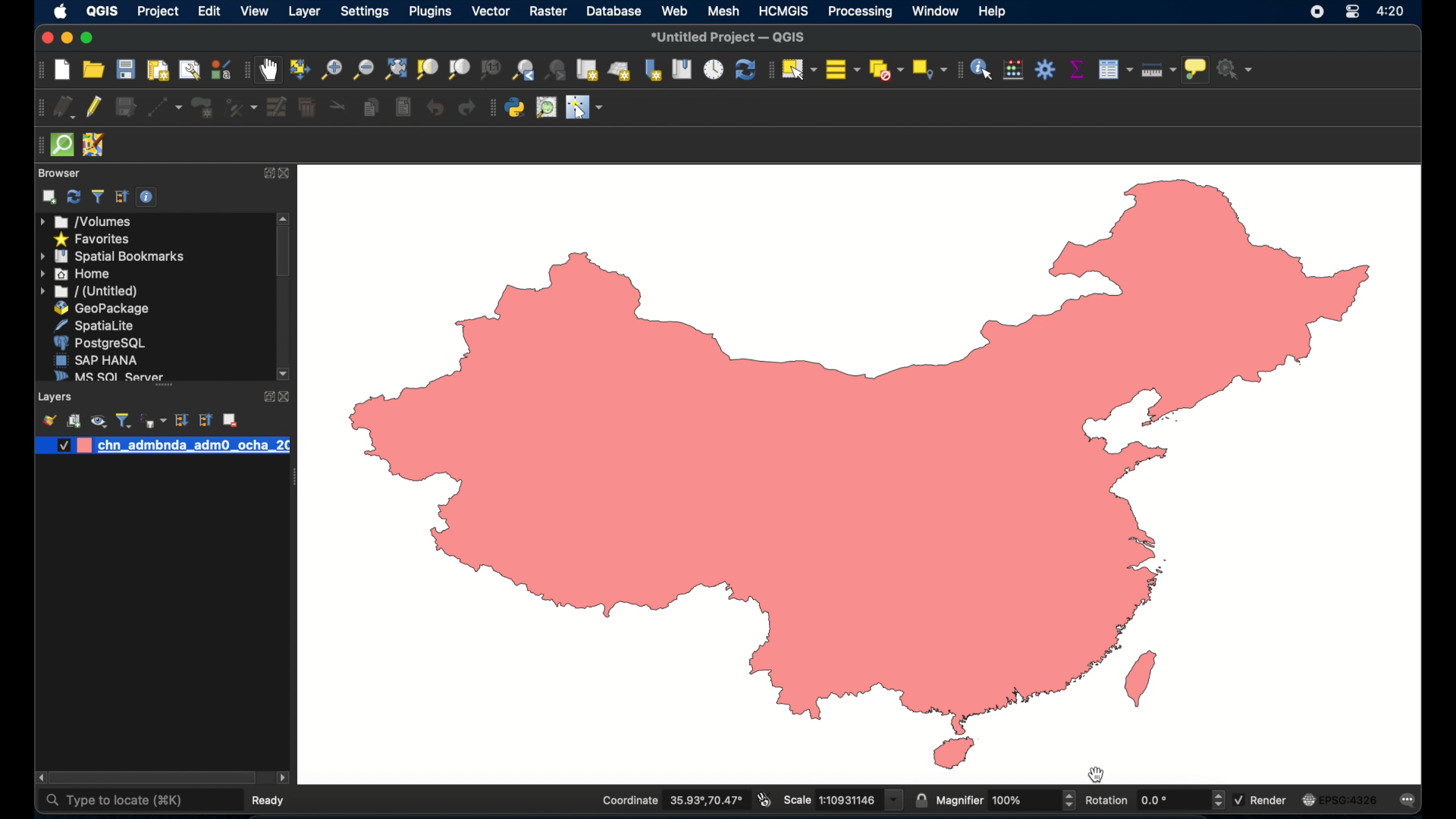 Image resolution: width=1456 pixels, height=819 pixels. I want to click on open project , so click(93, 70).